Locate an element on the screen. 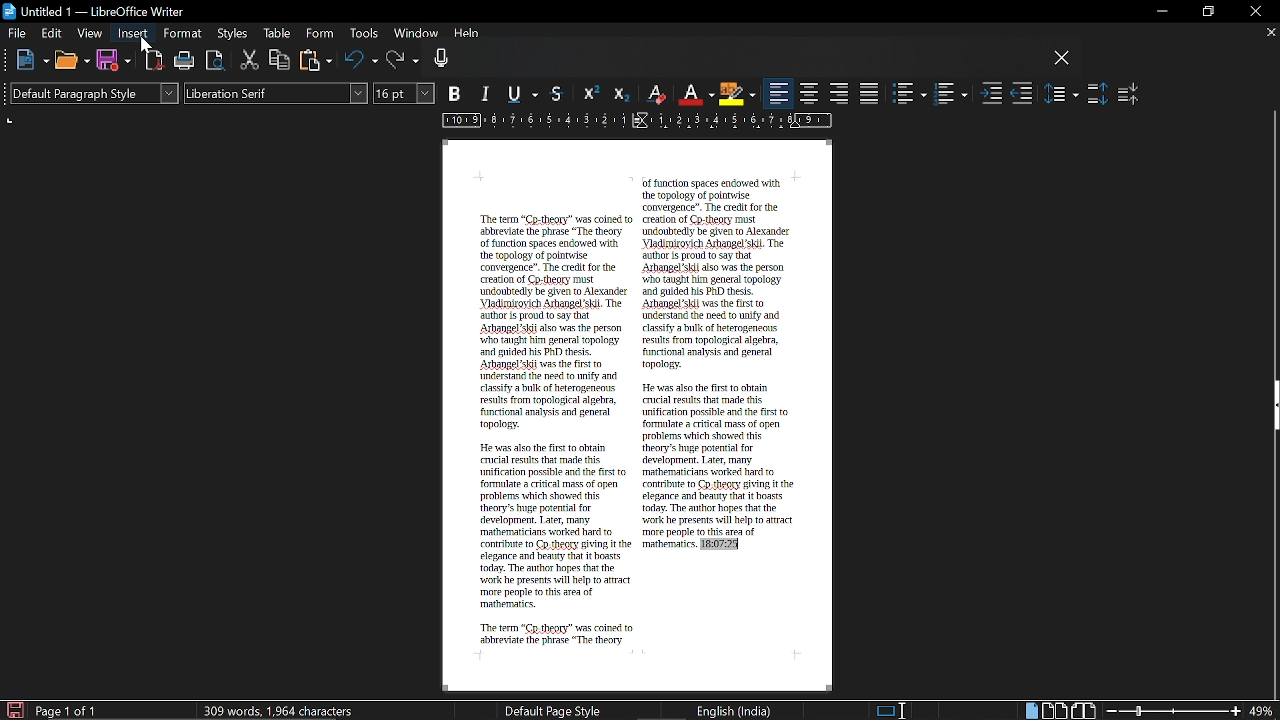 The width and height of the screenshot is (1280, 720). Single page view is located at coordinates (1030, 711).